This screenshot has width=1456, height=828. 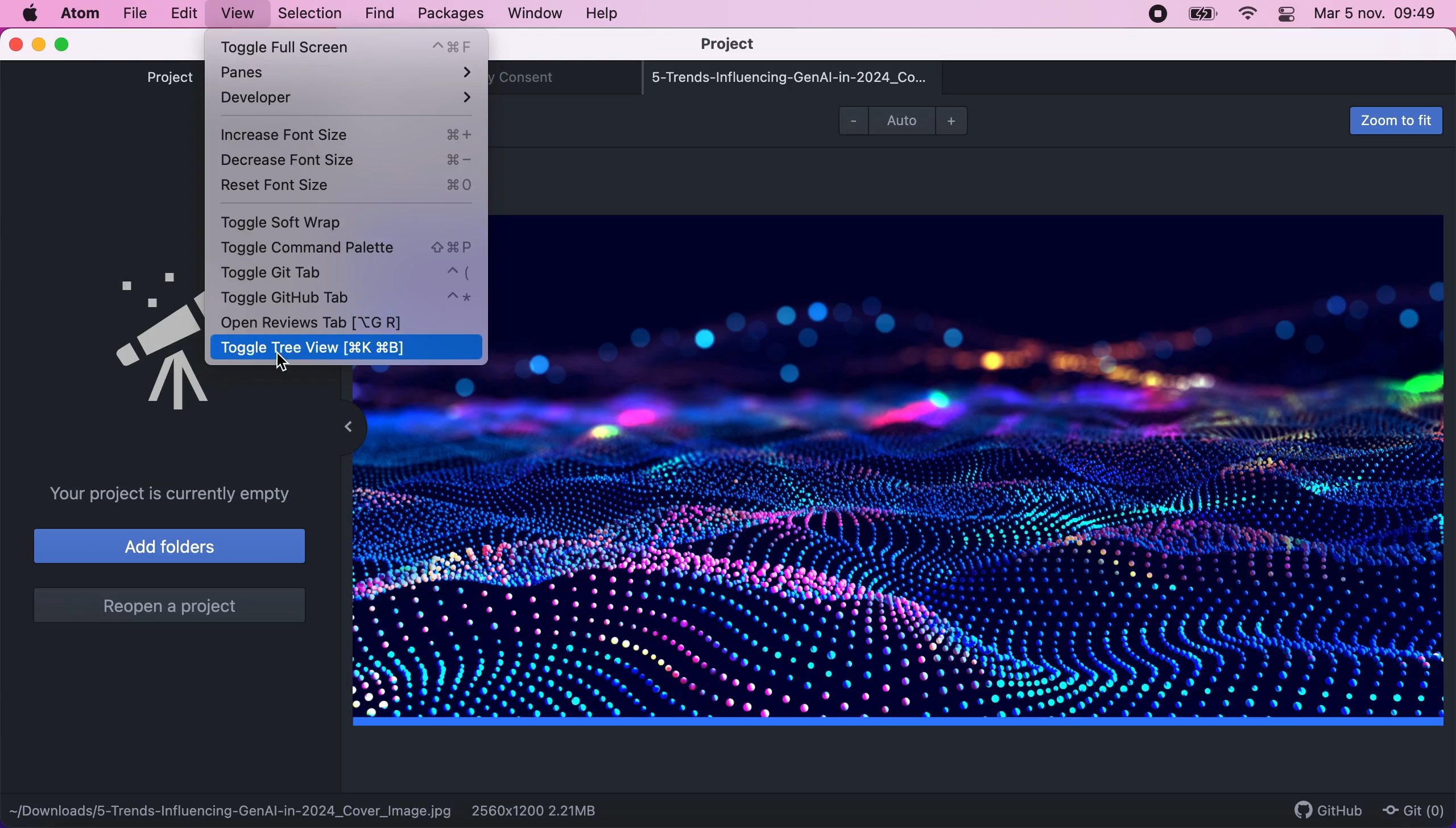 I want to click on view, so click(x=235, y=14).